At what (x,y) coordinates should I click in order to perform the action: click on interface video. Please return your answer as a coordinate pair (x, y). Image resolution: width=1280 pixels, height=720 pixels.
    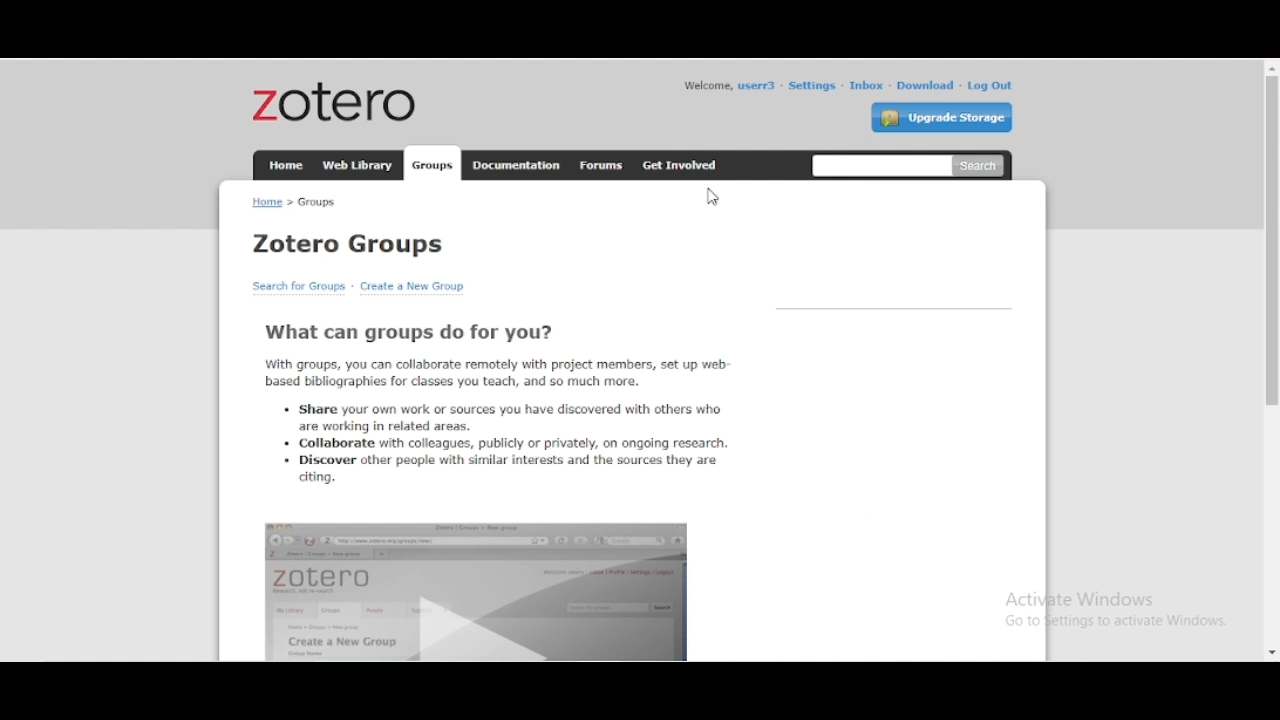
    Looking at the image, I should click on (476, 590).